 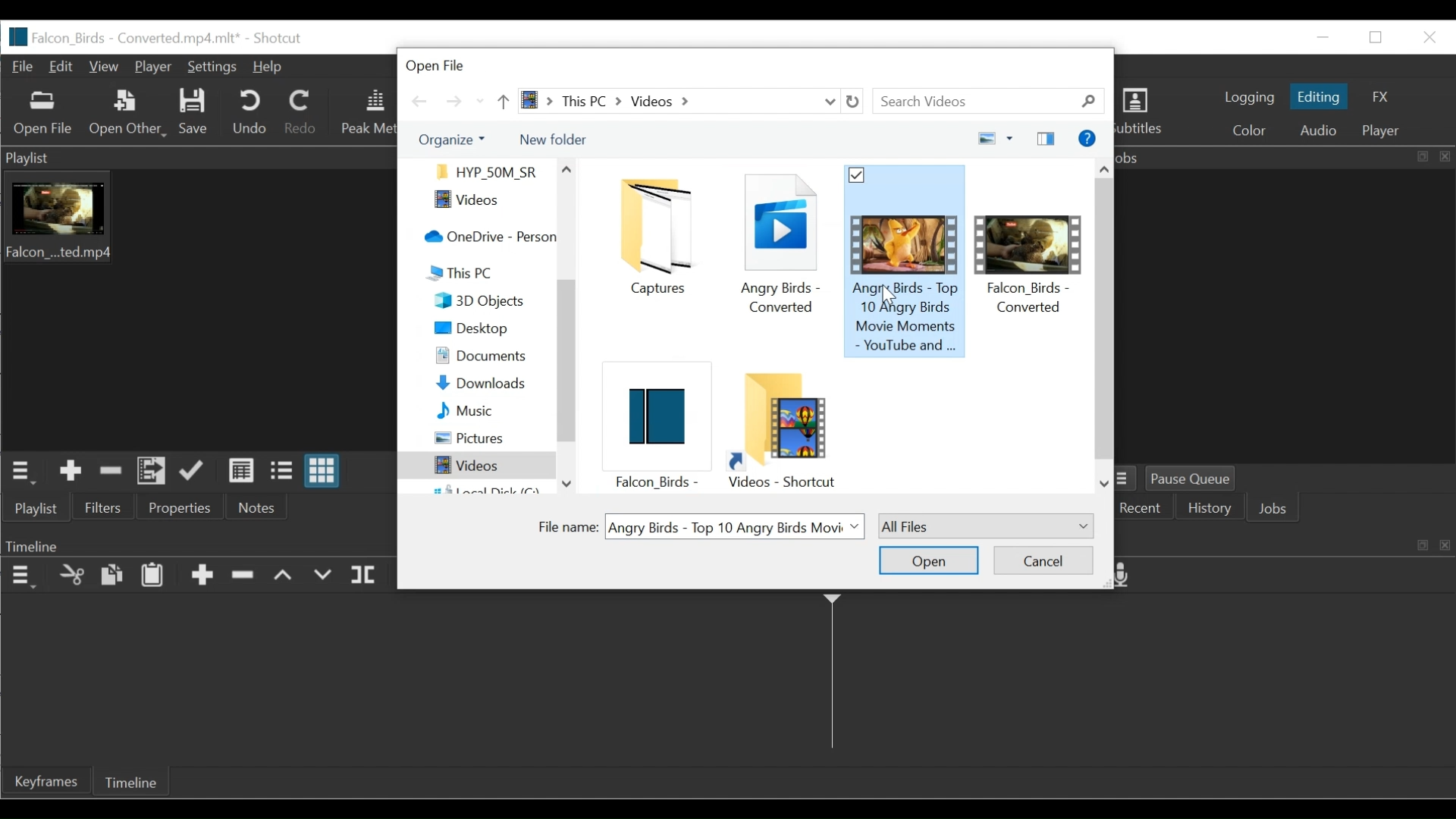 What do you see at coordinates (285, 472) in the screenshot?
I see `View as files` at bounding box center [285, 472].